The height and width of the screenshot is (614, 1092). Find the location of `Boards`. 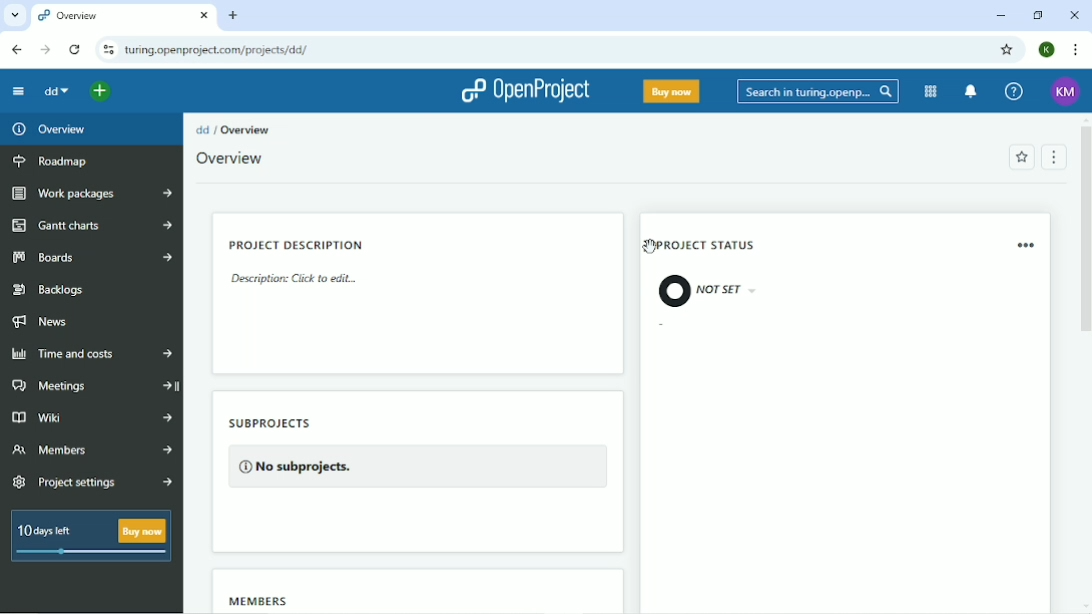

Boards is located at coordinates (89, 258).